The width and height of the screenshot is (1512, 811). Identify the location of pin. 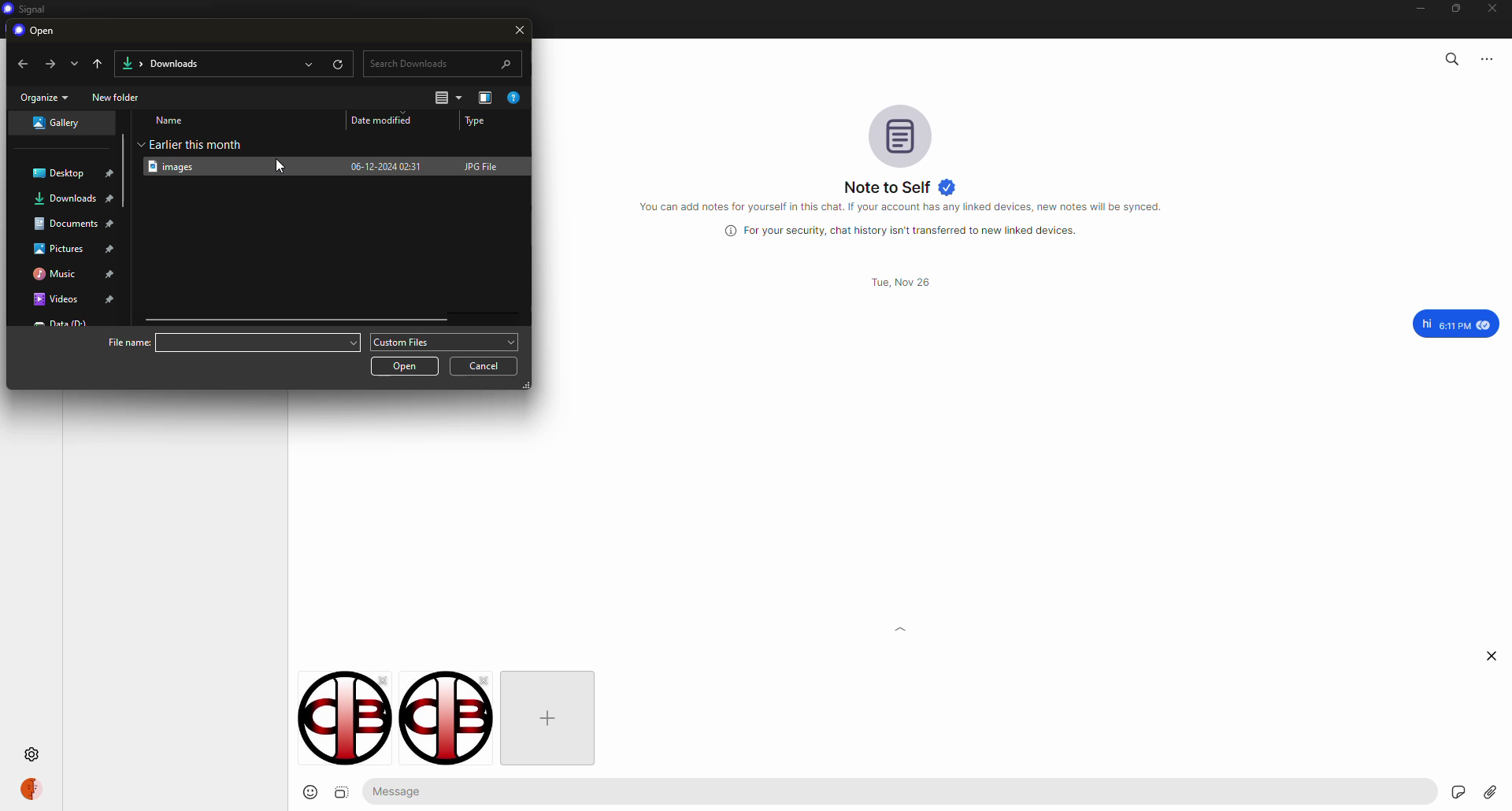
(113, 224).